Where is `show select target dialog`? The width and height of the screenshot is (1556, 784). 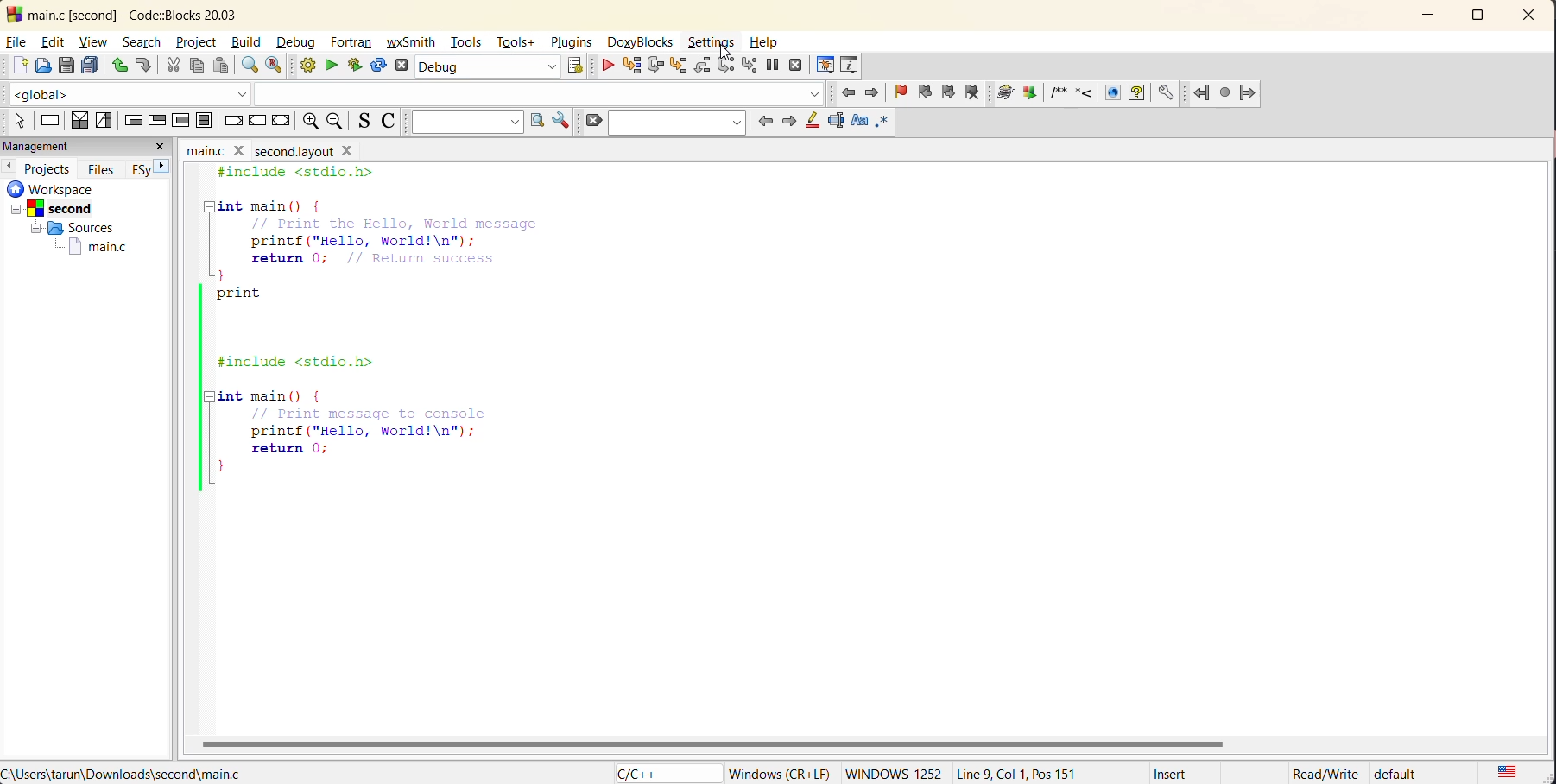 show select target dialog is located at coordinates (578, 67).